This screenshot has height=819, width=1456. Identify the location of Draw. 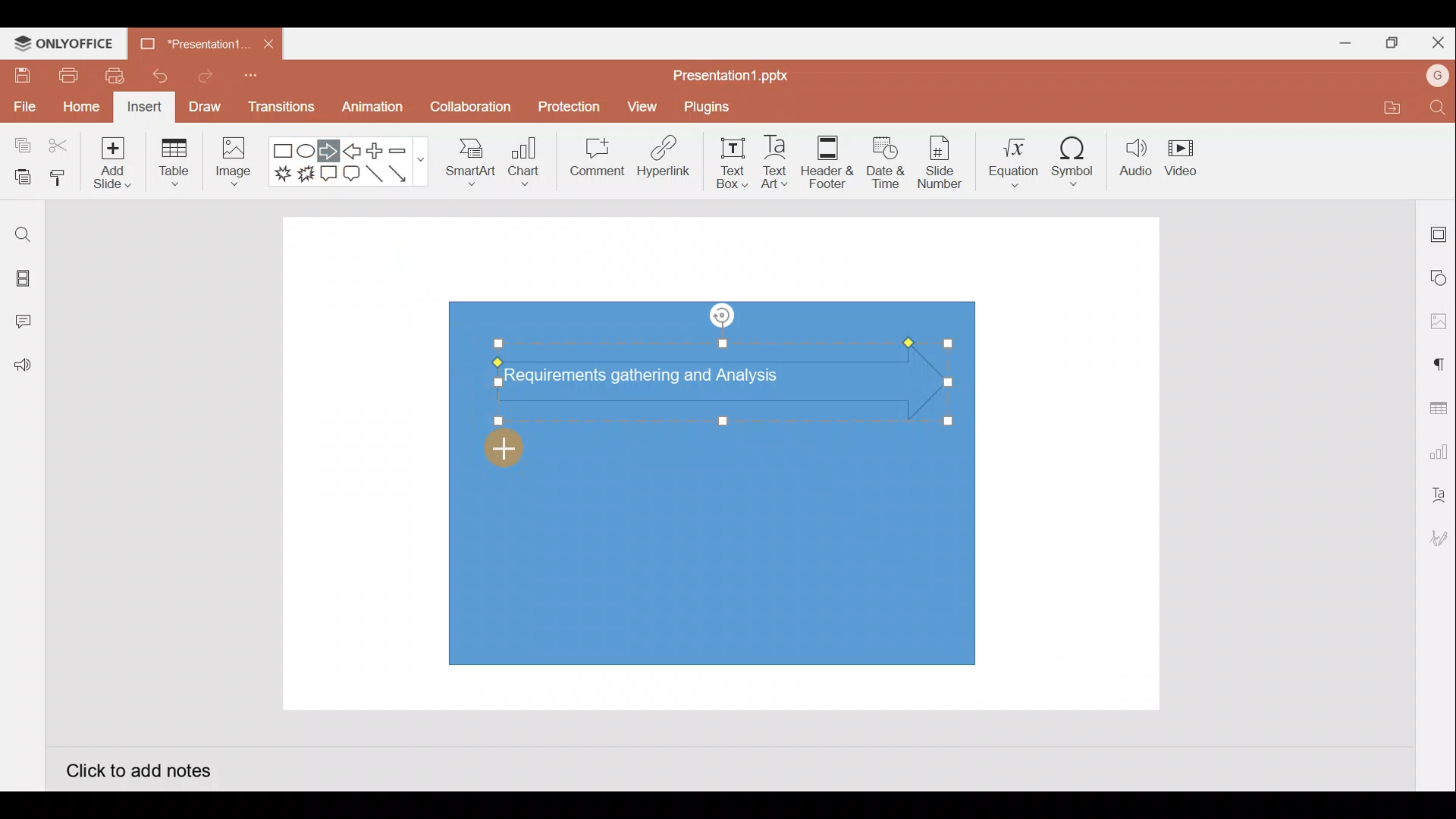
(204, 106).